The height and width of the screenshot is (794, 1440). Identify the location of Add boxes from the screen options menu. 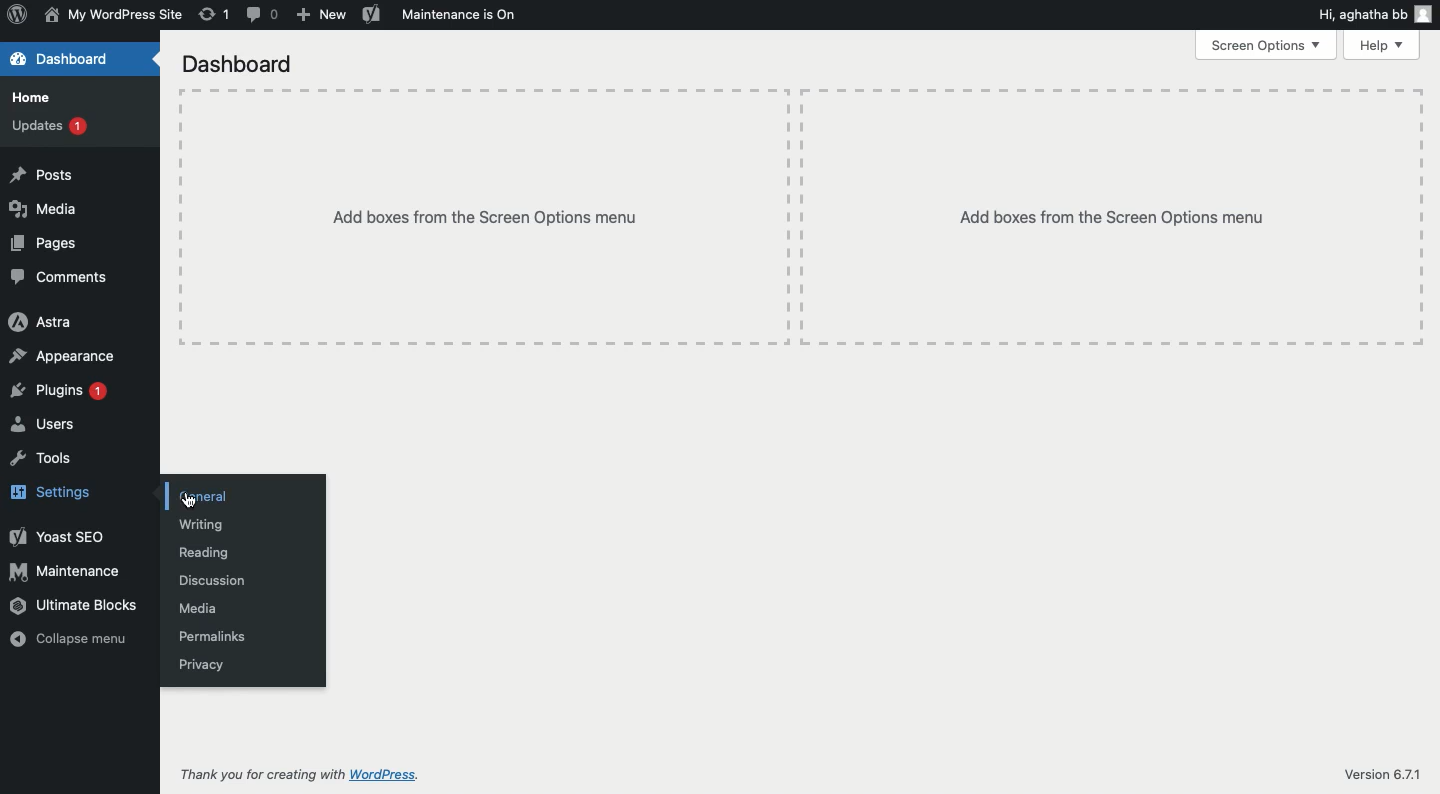
(801, 217).